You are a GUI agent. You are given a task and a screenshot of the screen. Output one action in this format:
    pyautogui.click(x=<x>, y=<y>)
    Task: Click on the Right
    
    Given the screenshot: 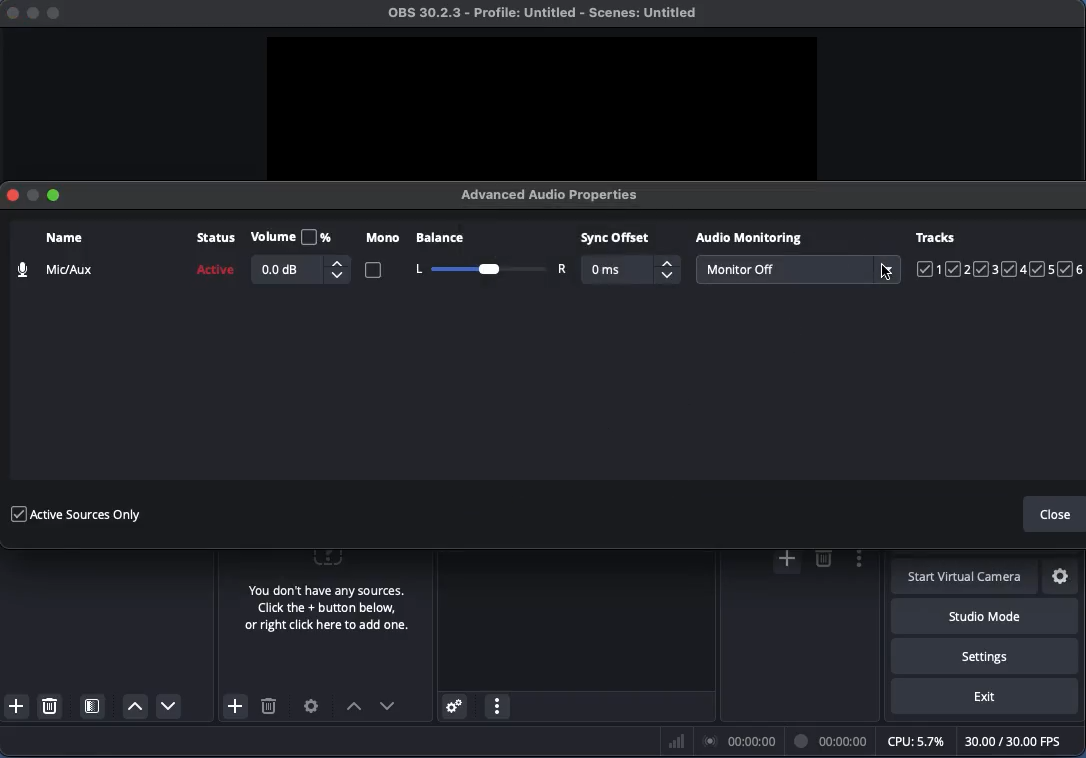 What is the action you would take?
    pyautogui.click(x=561, y=269)
    